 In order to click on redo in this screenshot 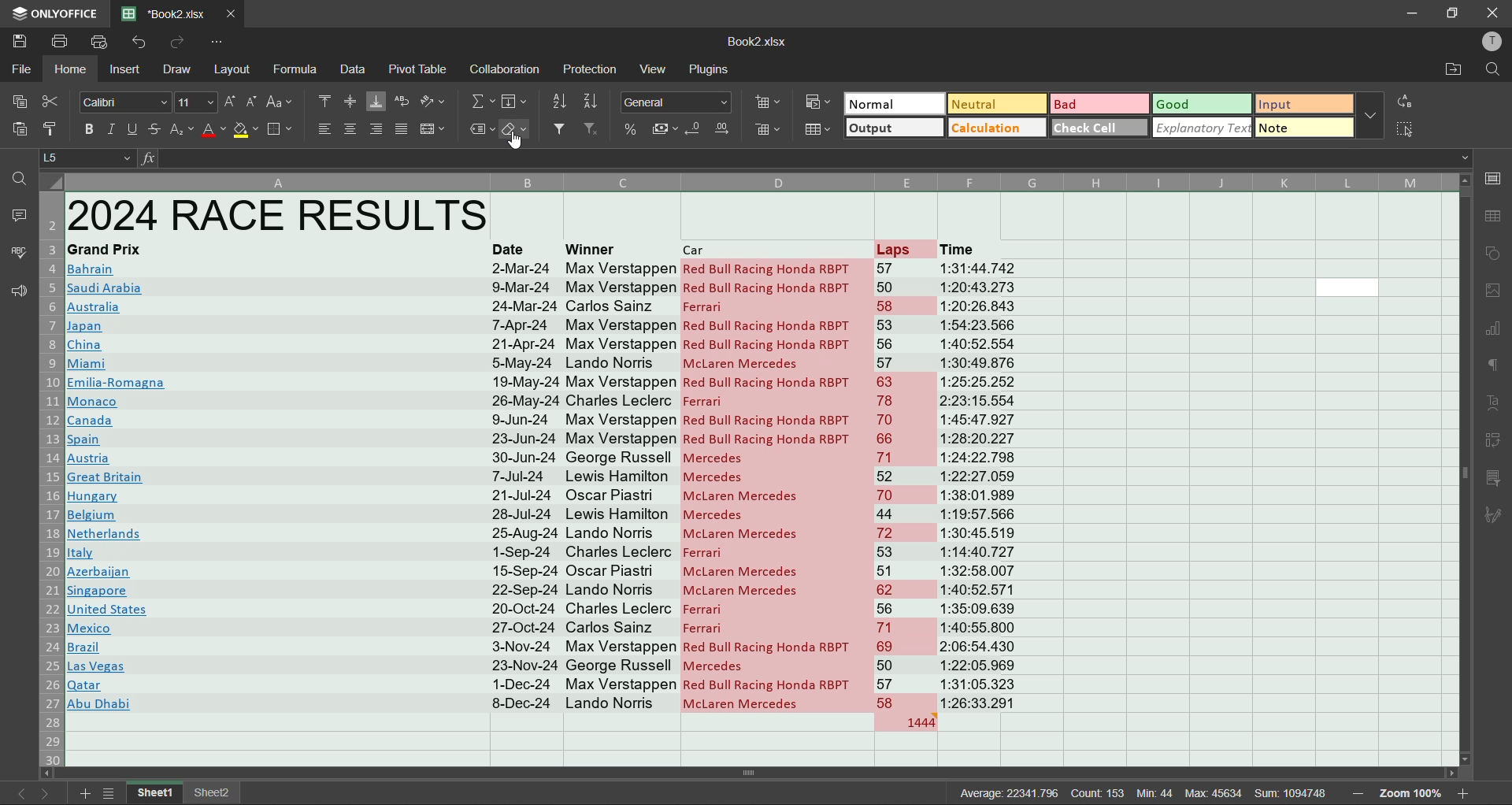, I will do `click(176, 42)`.